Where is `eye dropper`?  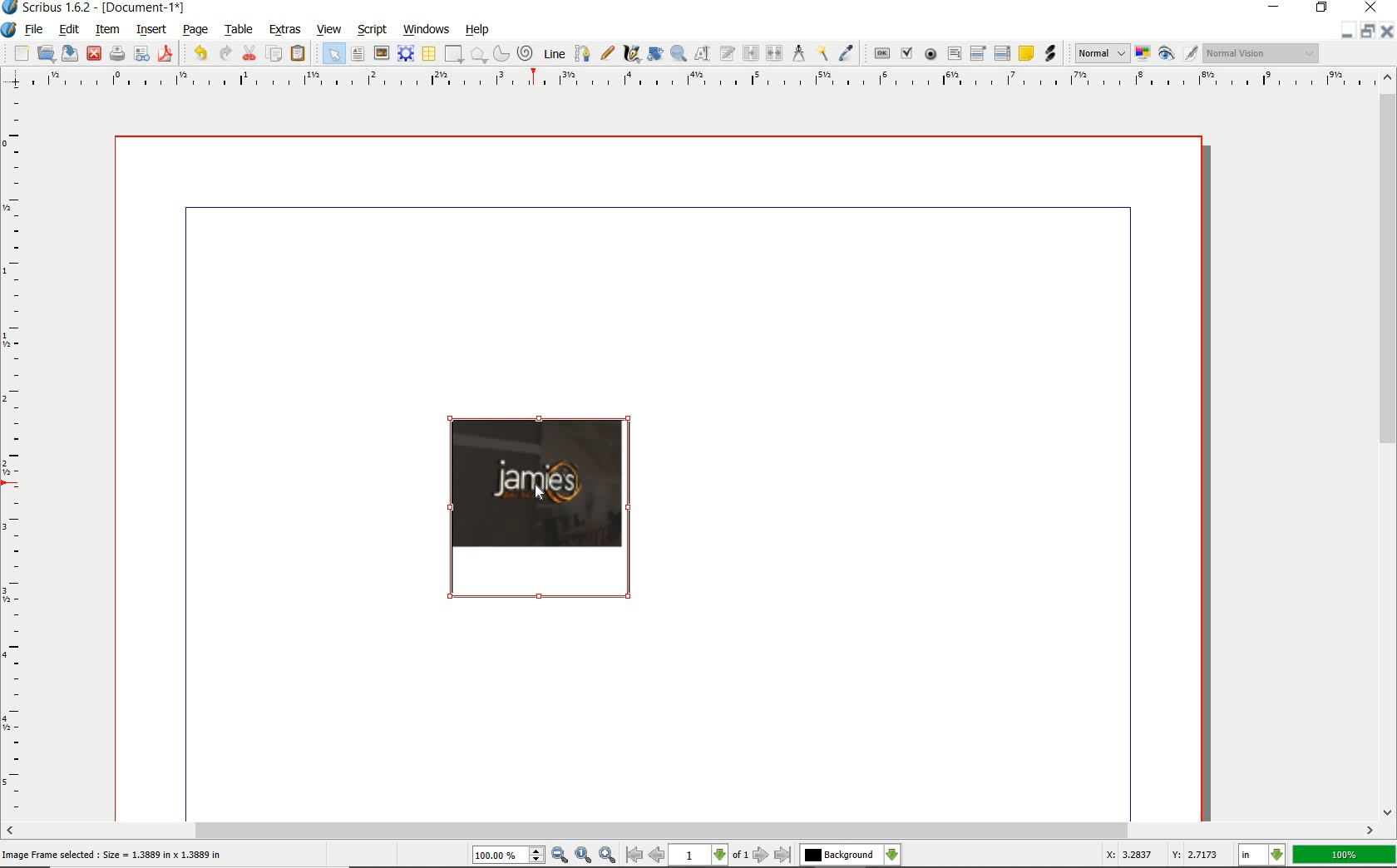
eye dropper is located at coordinates (845, 53).